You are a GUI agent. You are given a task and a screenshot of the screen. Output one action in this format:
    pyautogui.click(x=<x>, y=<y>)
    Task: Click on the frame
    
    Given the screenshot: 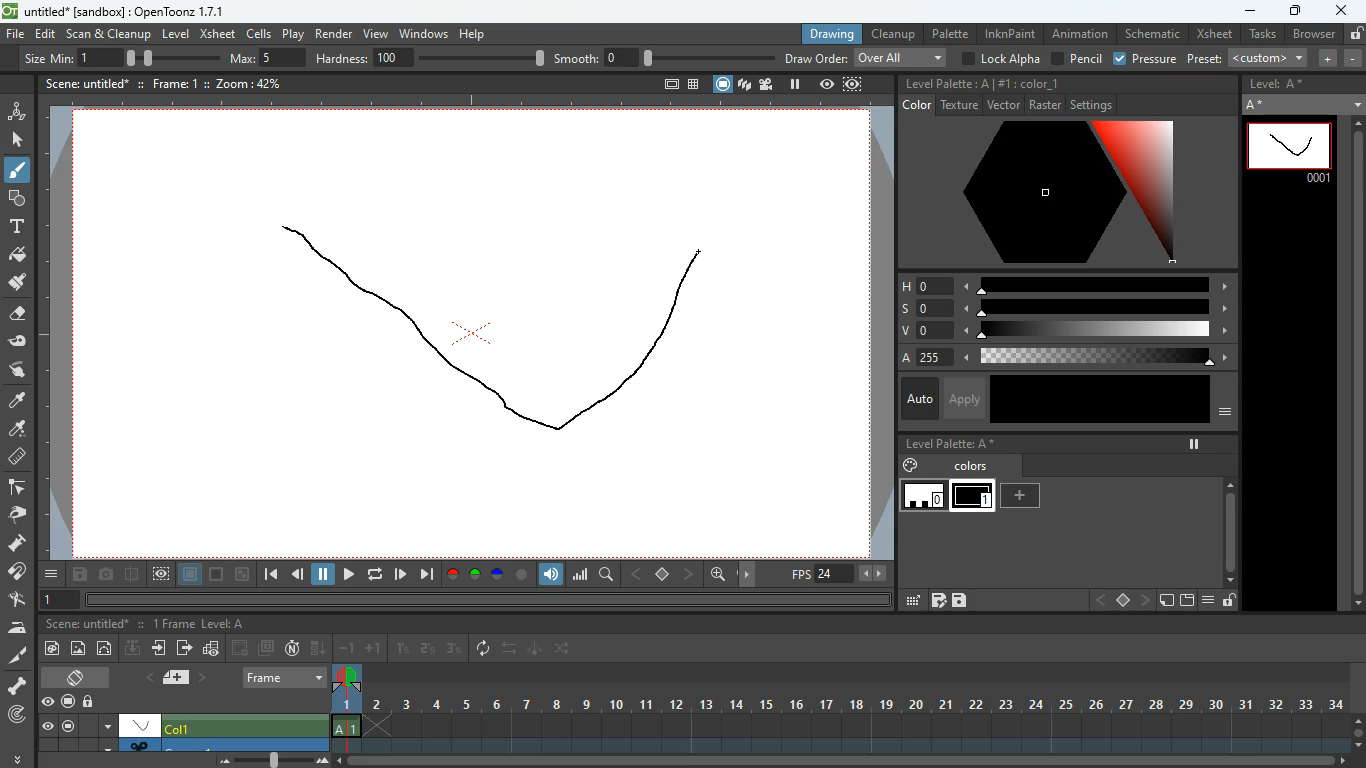 What is the action you would take?
    pyautogui.click(x=854, y=84)
    